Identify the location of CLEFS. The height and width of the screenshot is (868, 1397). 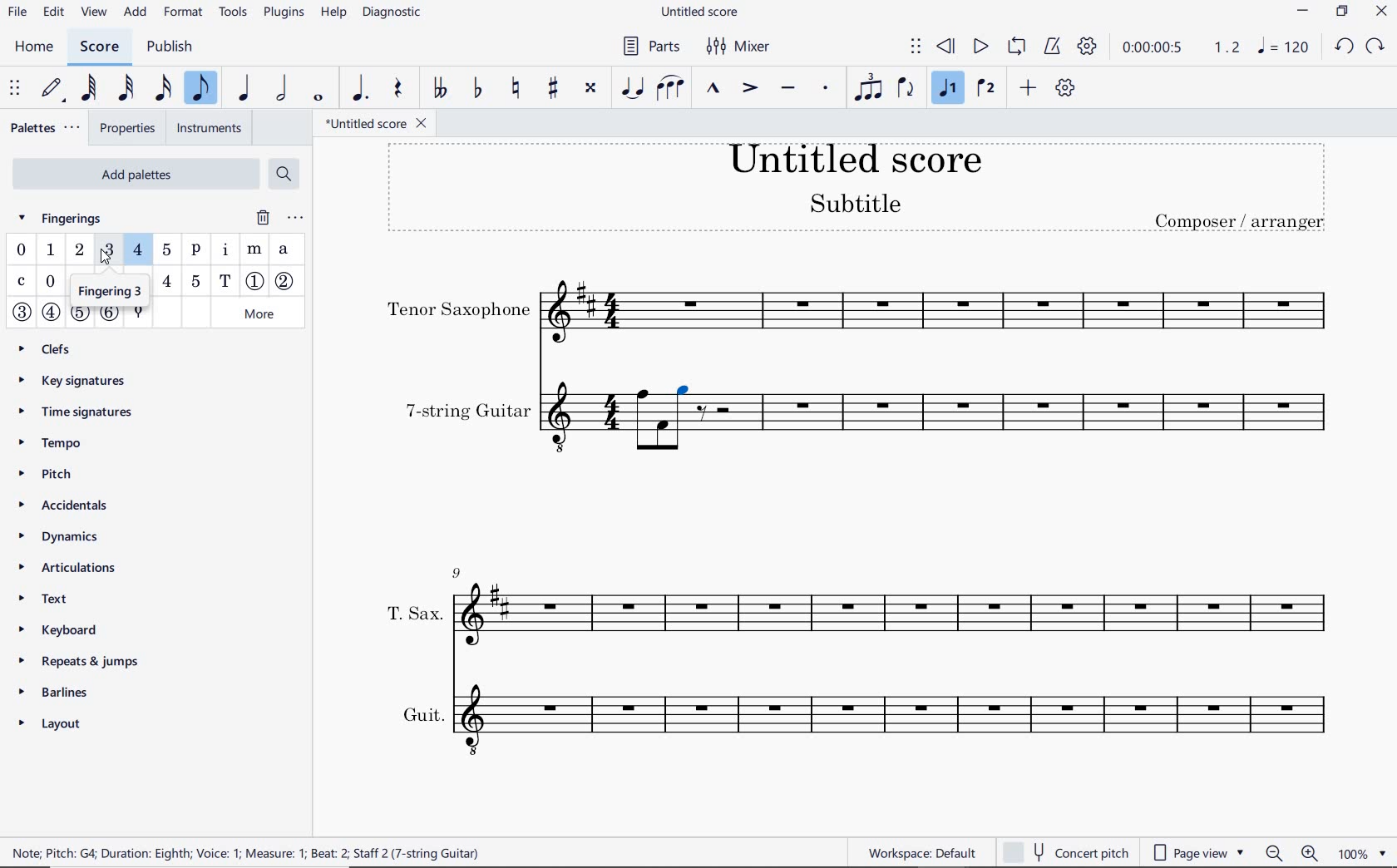
(52, 348).